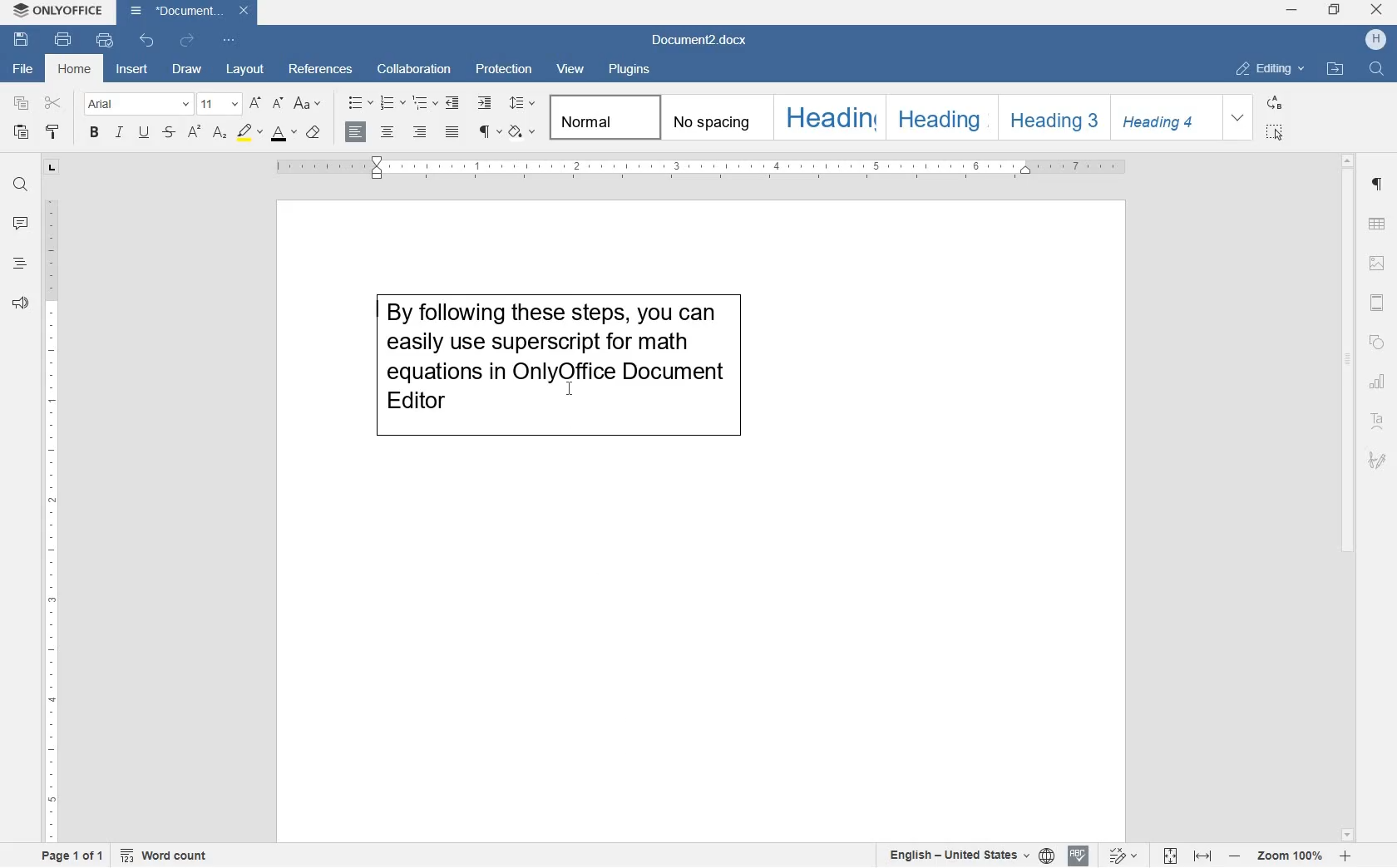  I want to click on comments, so click(20, 224).